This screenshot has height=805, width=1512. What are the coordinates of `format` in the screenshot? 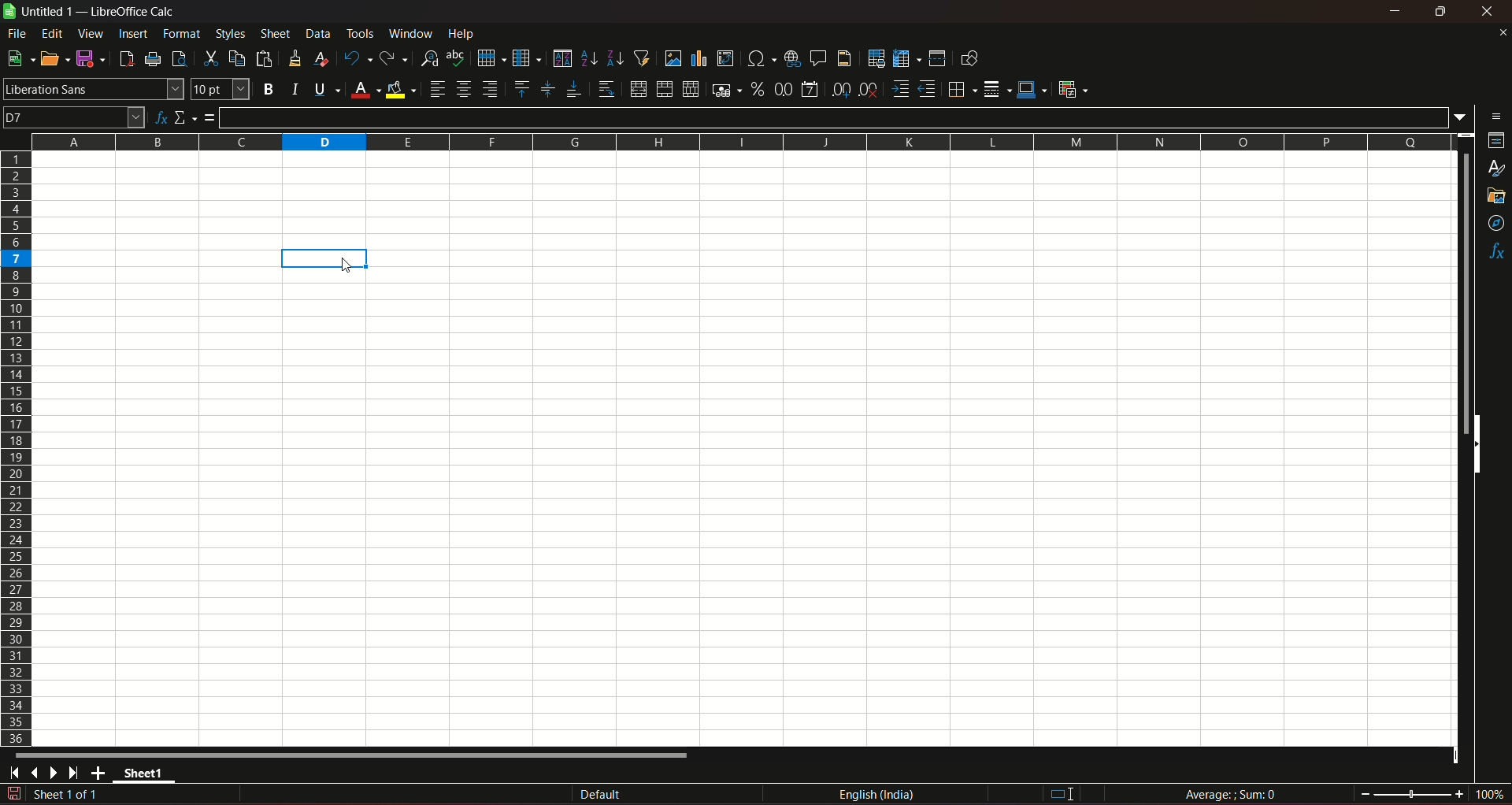 It's located at (183, 33).